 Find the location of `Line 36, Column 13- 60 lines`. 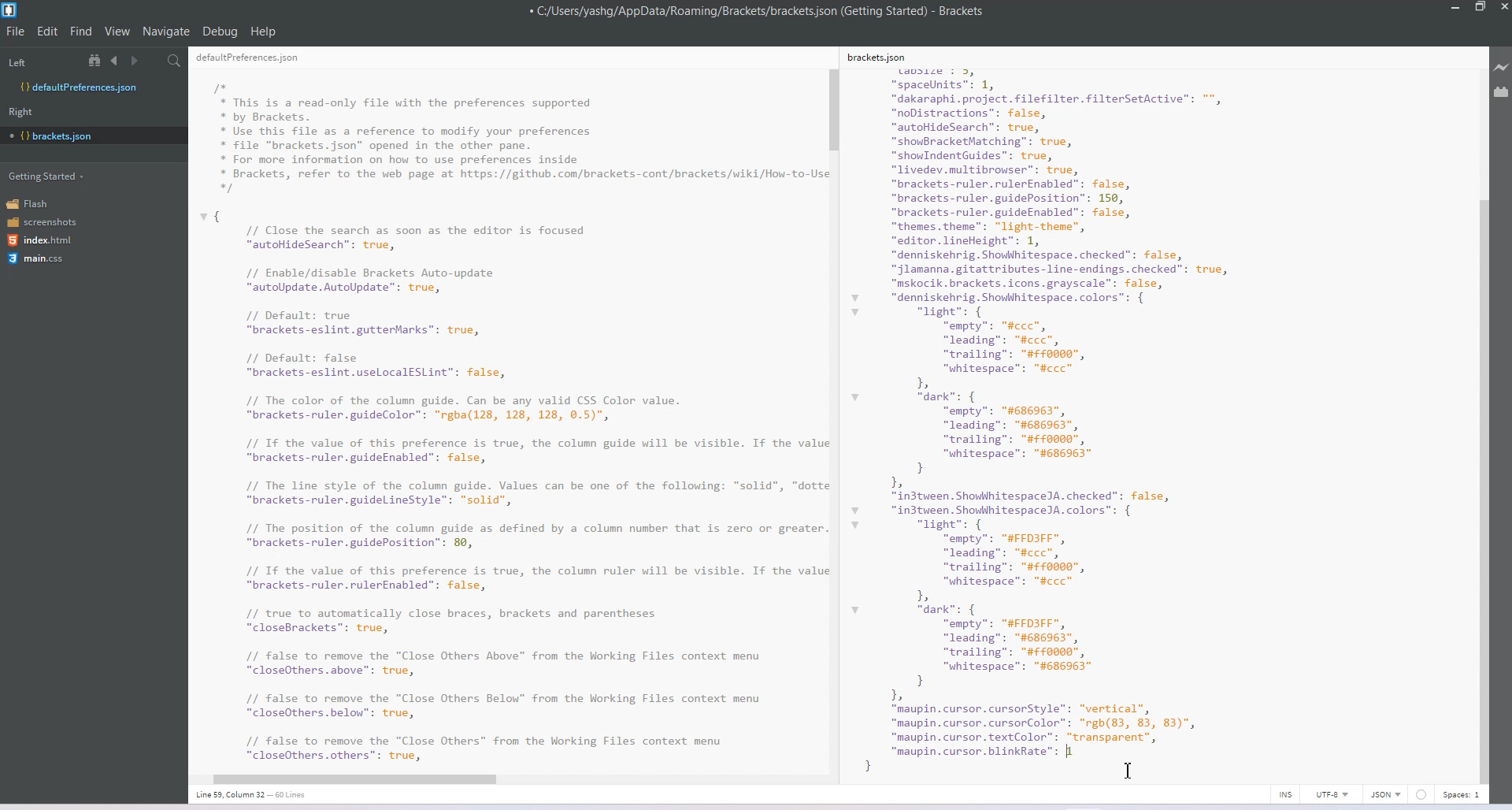

Line 36, Column 13- 60 lines is located at coordinates (259, 795).